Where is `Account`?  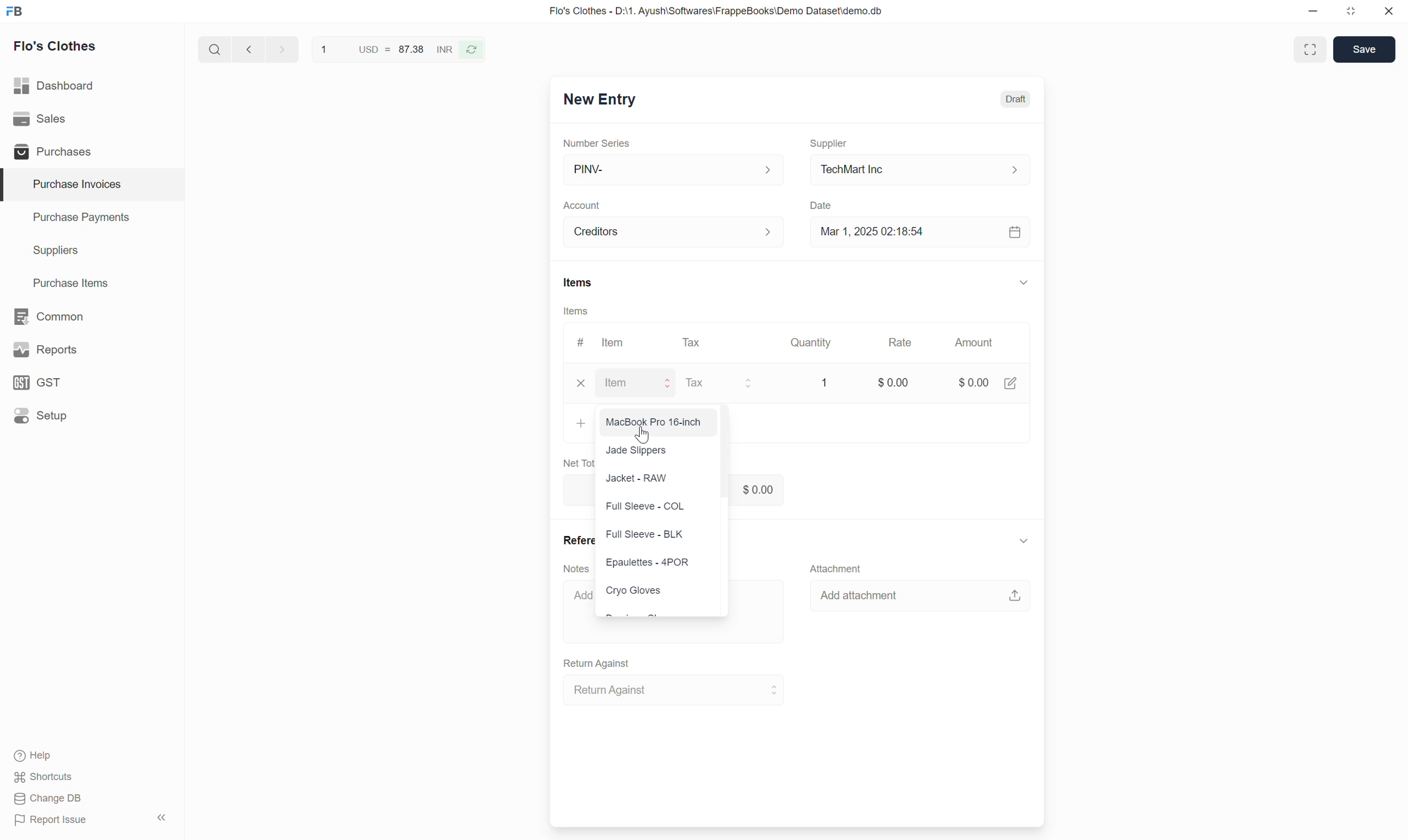
Account is located at coordinates (581, 206).